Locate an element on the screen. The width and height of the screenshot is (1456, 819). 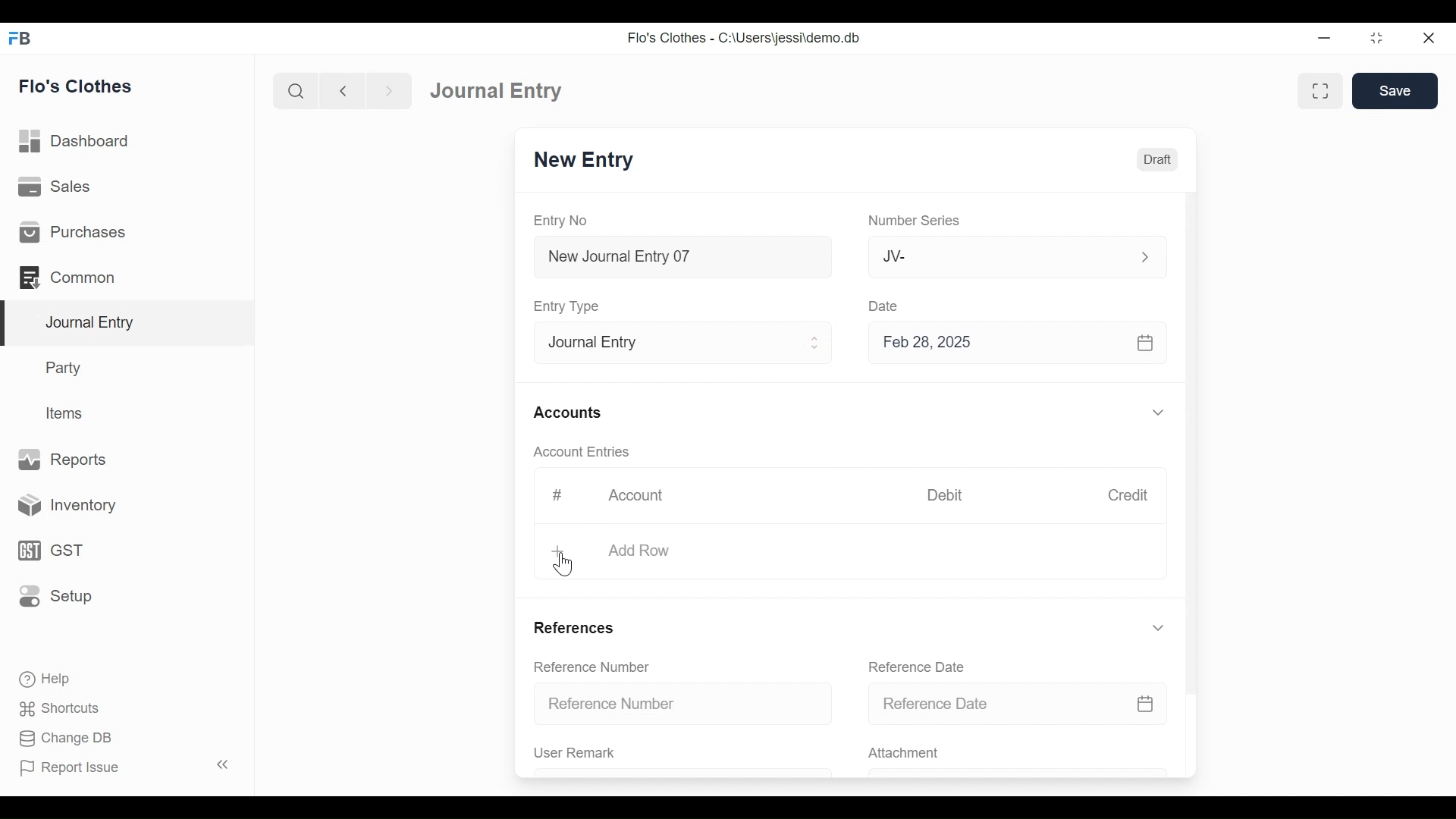
Entry Type is located at coordinates (570, 306).